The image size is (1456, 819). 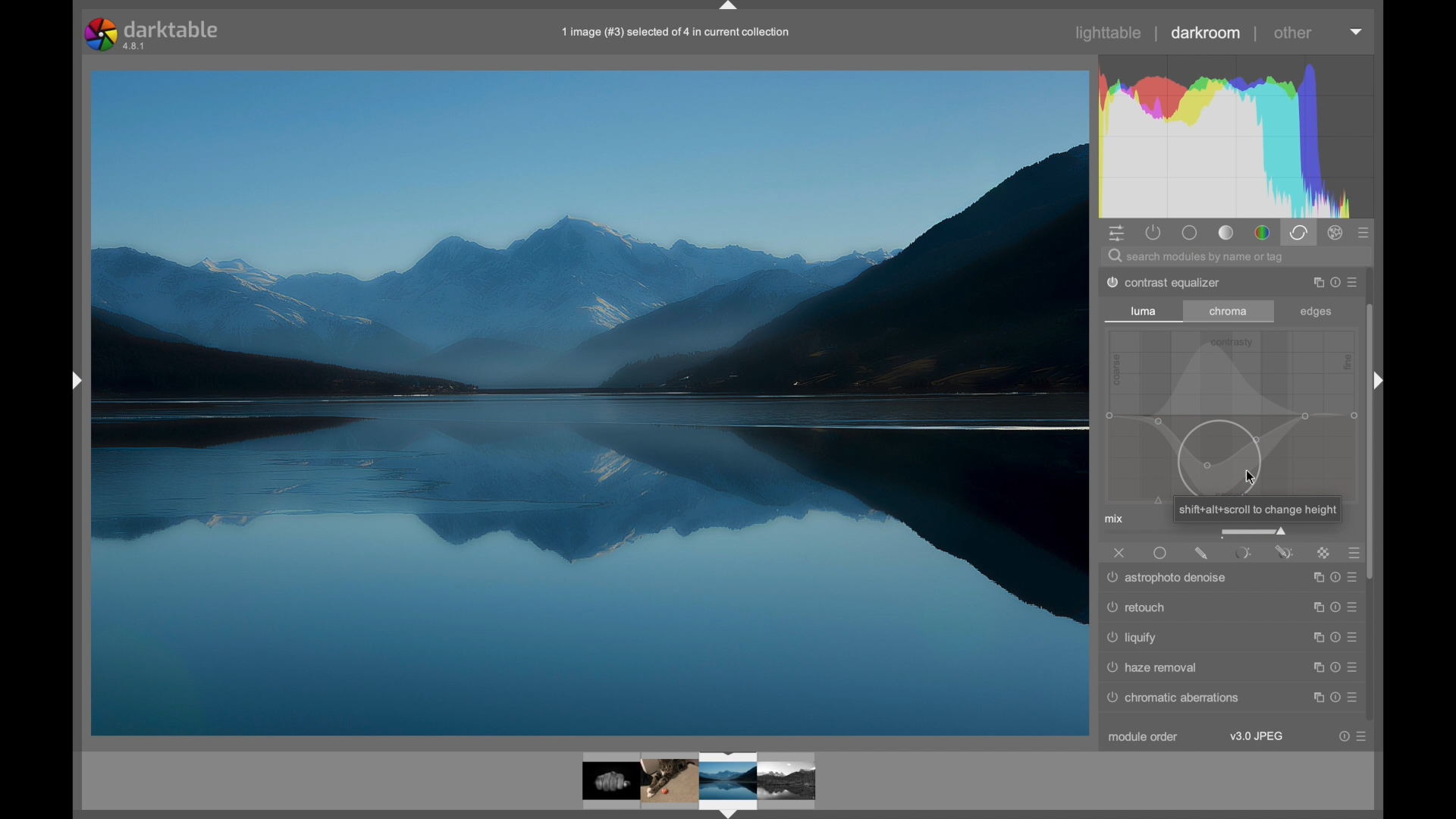 I want to click on slider, so click(x=1252, y=531).